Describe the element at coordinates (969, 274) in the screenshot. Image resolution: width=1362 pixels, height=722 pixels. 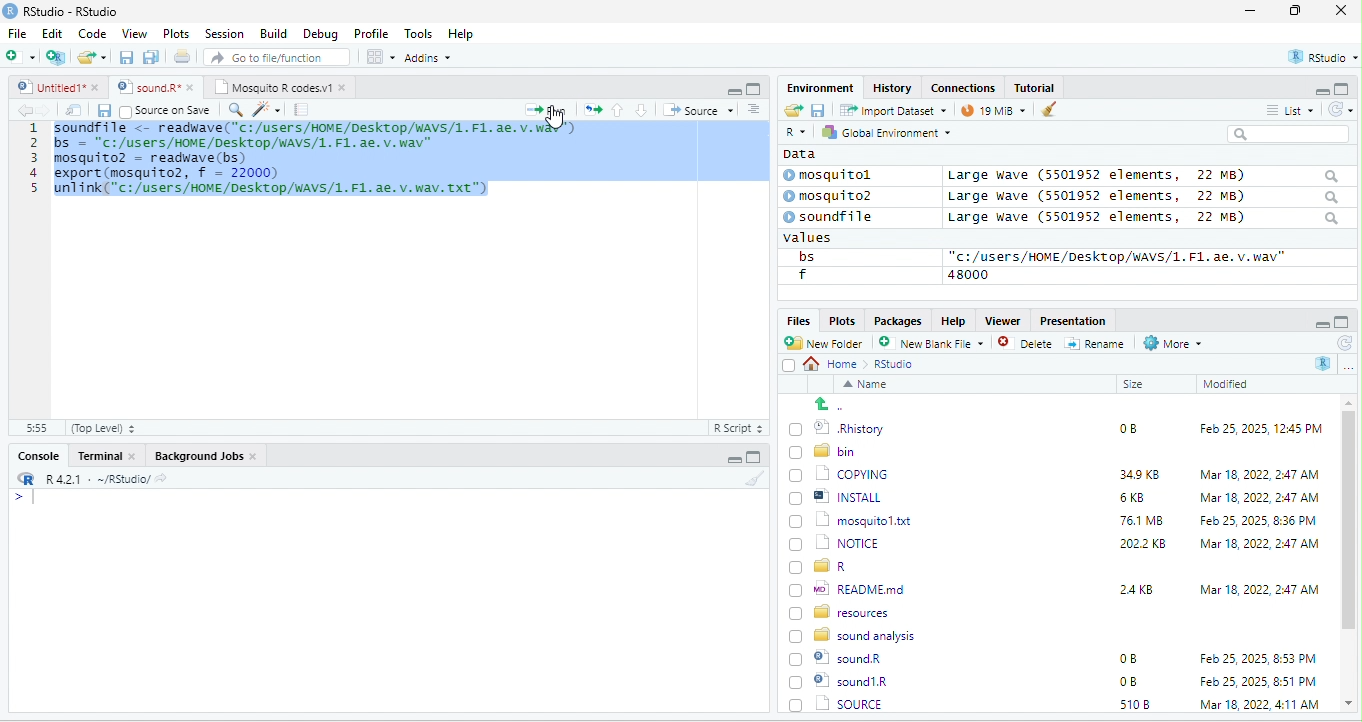
I see `48000` at that location.